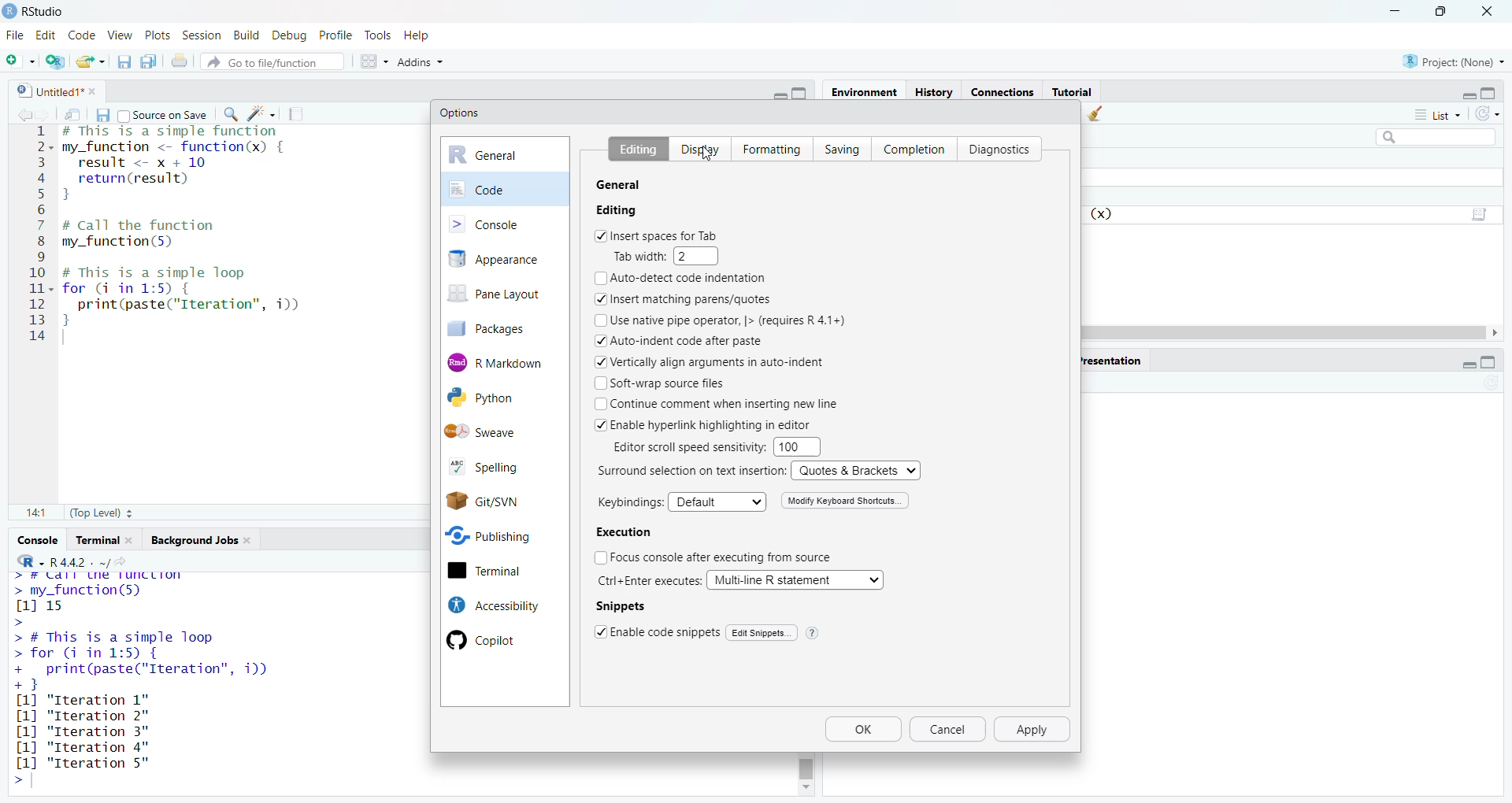 This screenshot has width=1512, height=803. I want to click on Auto-indent code after paste, so click(687, 341).